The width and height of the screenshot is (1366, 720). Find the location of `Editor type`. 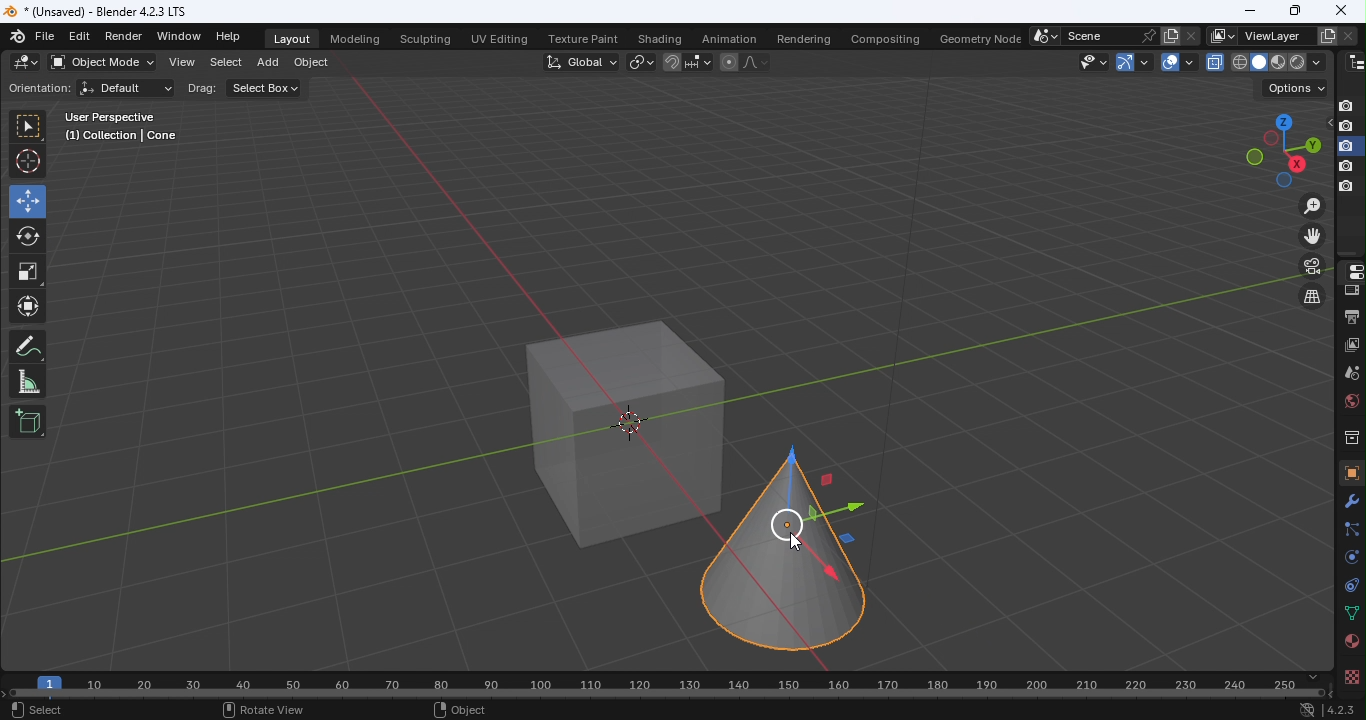

Editor type is located at coordinates (1349, 270).